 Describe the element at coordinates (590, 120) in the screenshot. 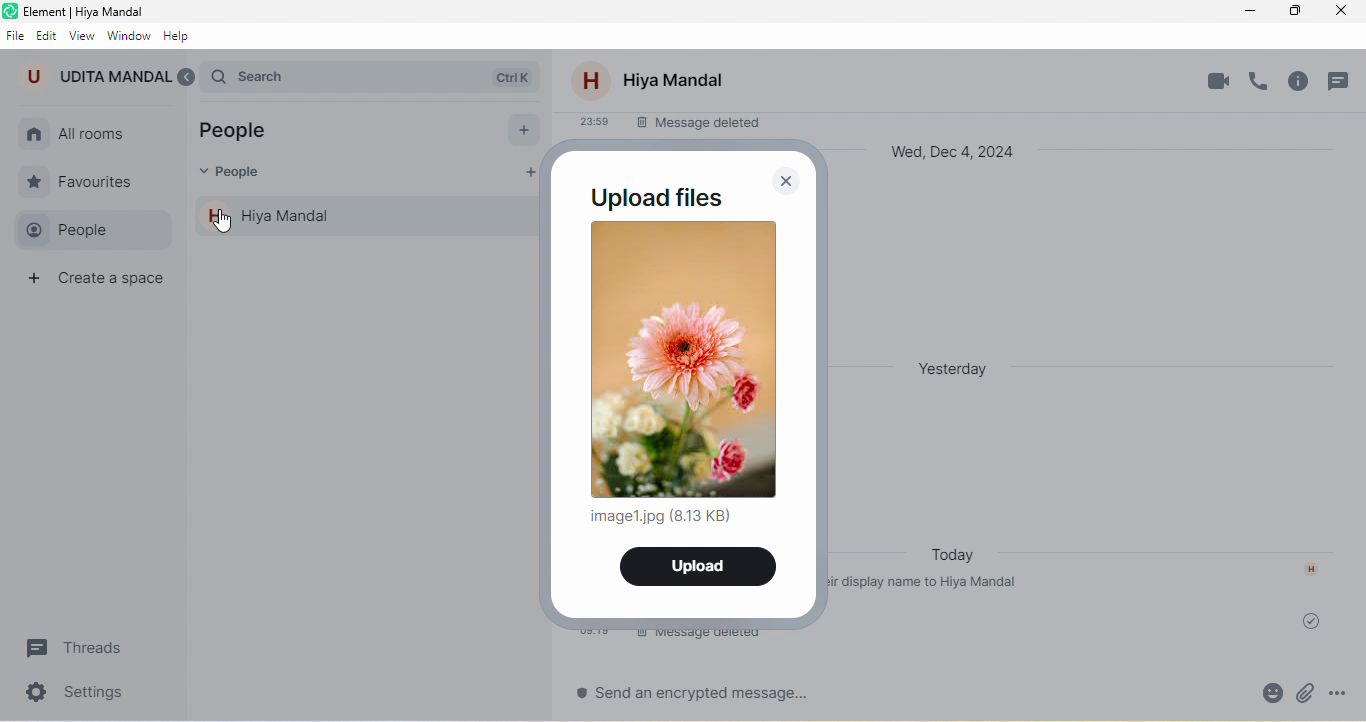

I see `Time` at that location.